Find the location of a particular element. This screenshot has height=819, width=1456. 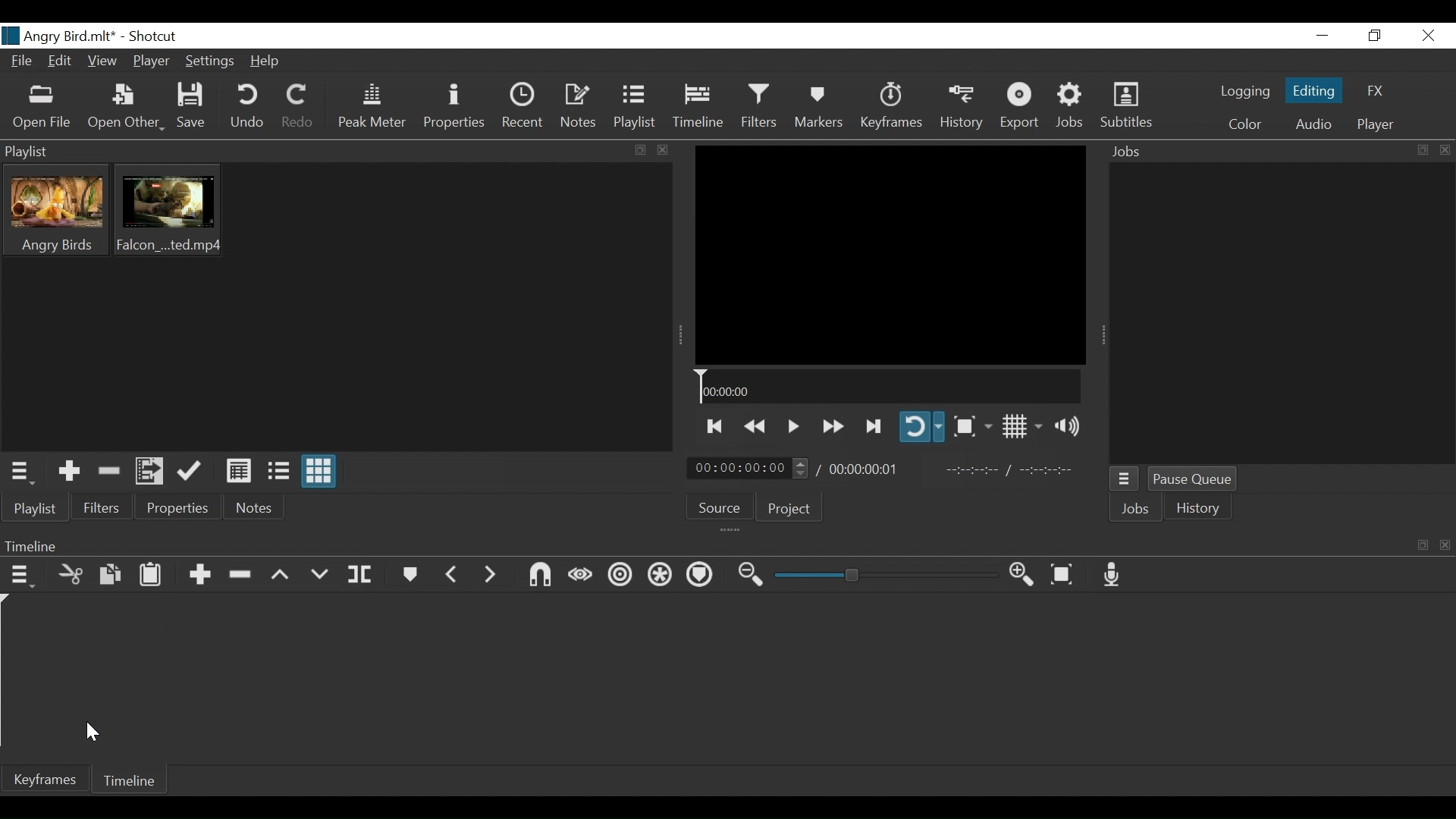

Playlist menu is located at coordinates (18, 472).